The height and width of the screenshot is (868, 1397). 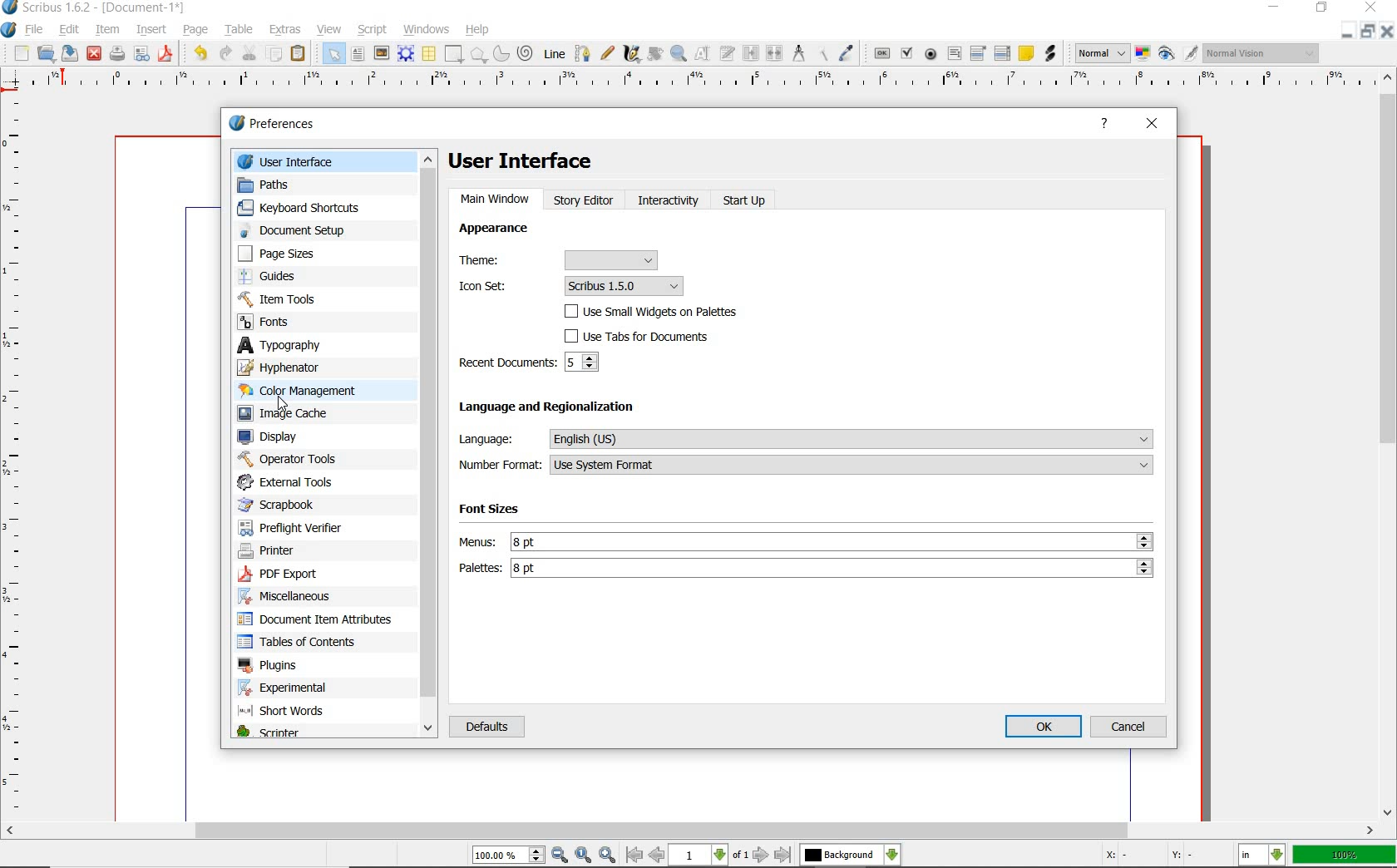 What do you see at coordinates (824, 52) in the screenshot?
I see `copy item properties` at bounding box center [824, 52].